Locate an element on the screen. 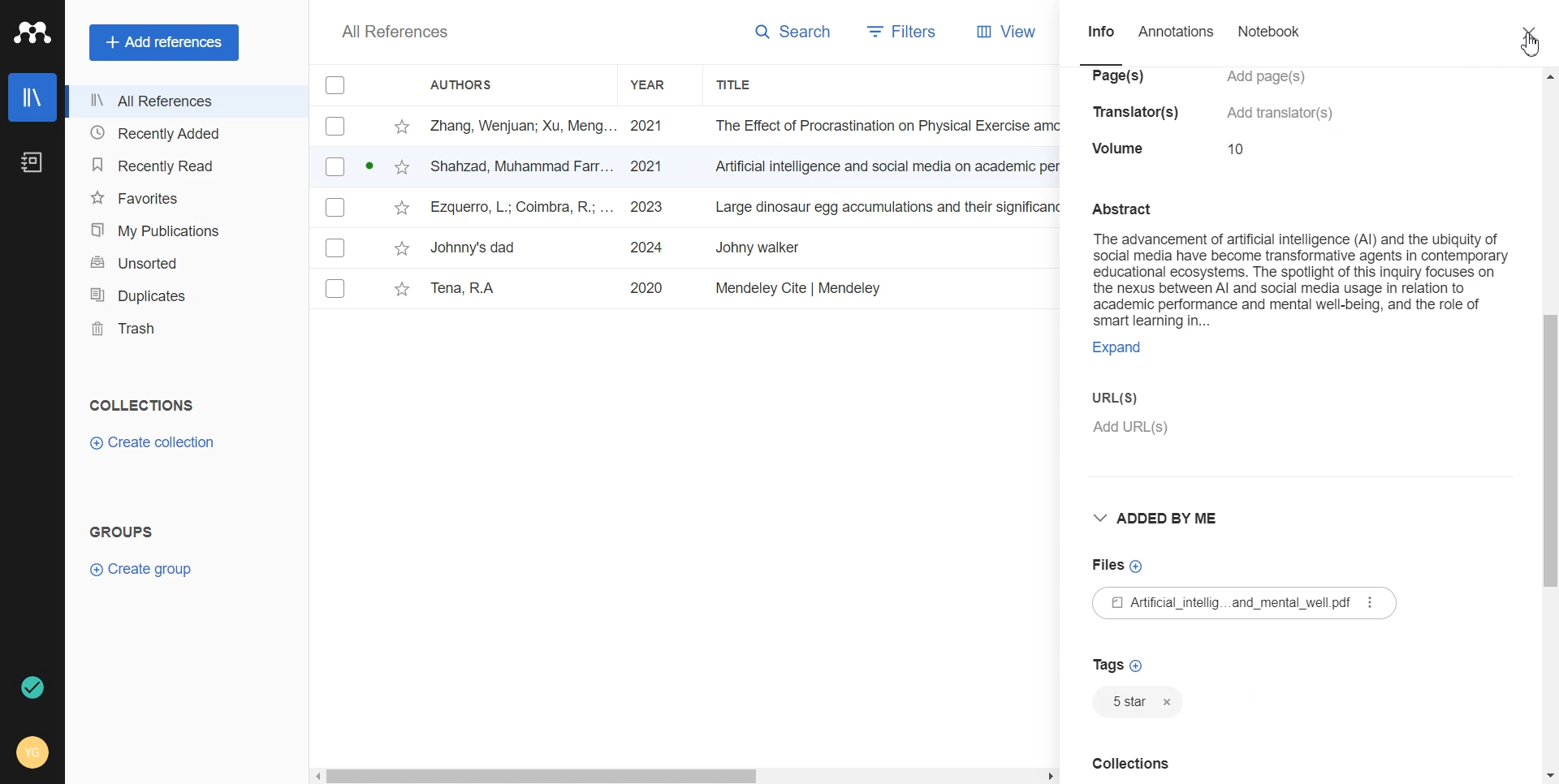 Image resolution: width=1559 pixels, height=784 pixels. Horizontal scroll bar is located at coordinates (685, 773).